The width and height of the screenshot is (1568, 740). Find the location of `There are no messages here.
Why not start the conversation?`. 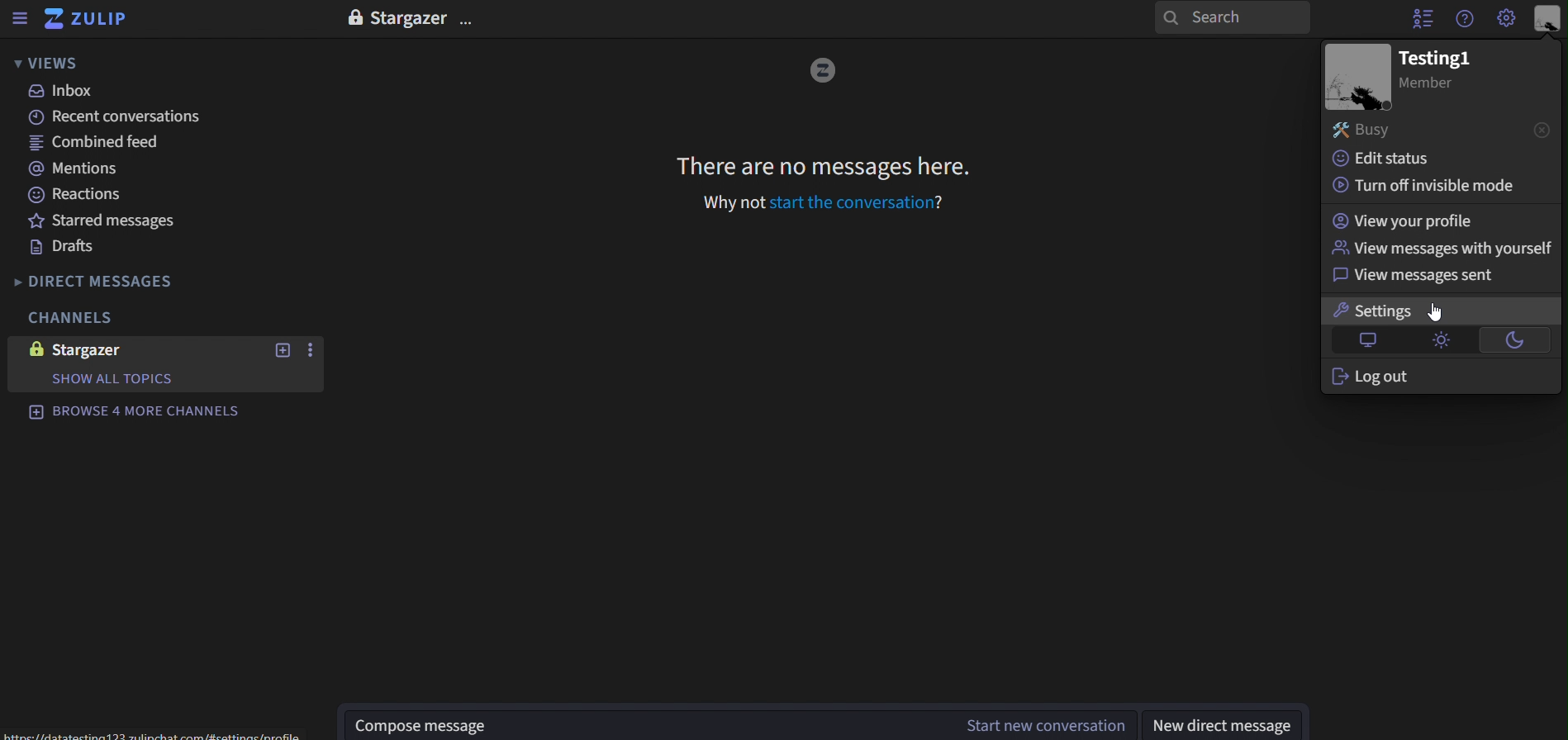

There are no messages here.
Why not start the conversation? is located at coordinates (824, 166).